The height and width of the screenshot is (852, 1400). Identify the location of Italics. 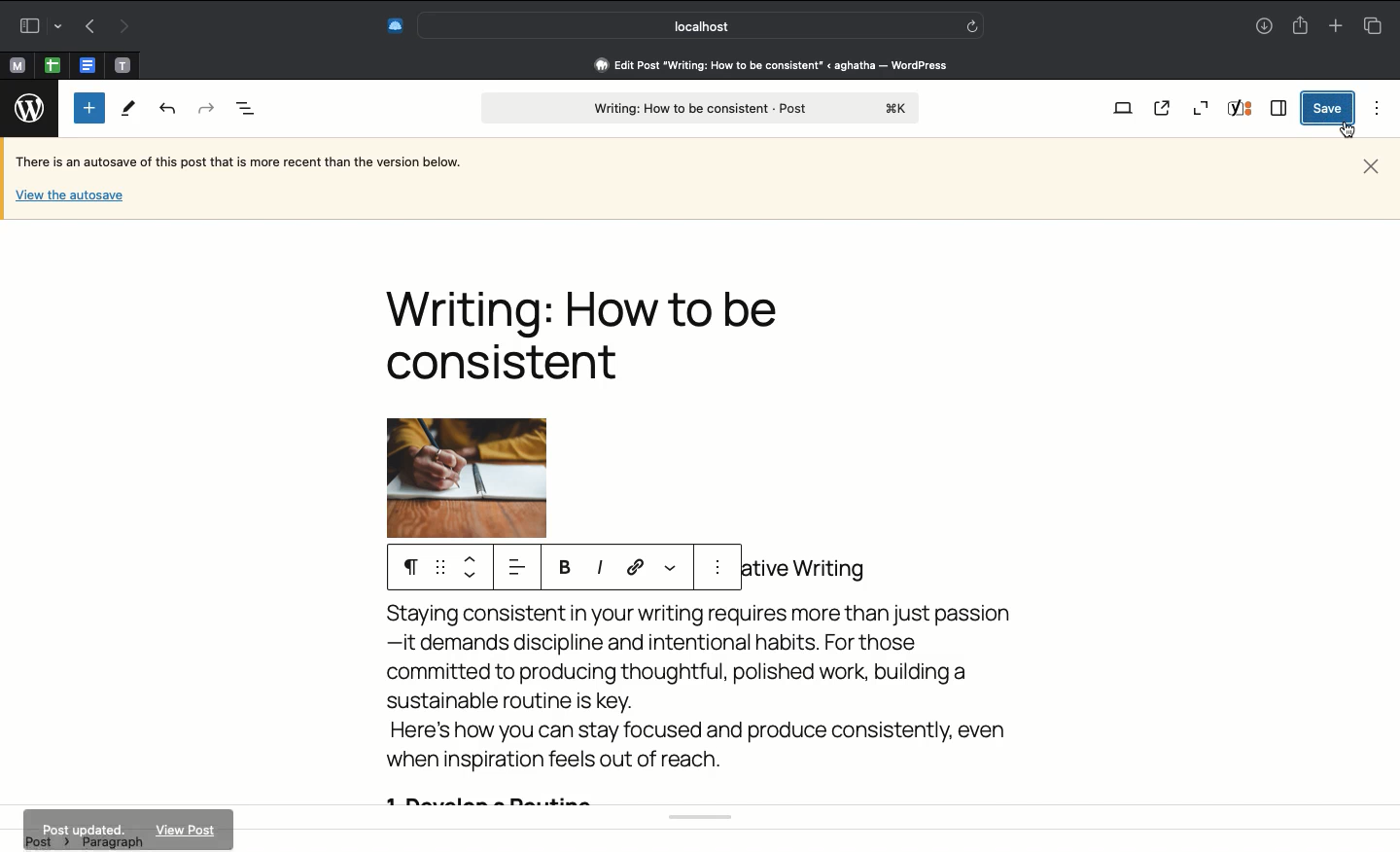
(600, 568).